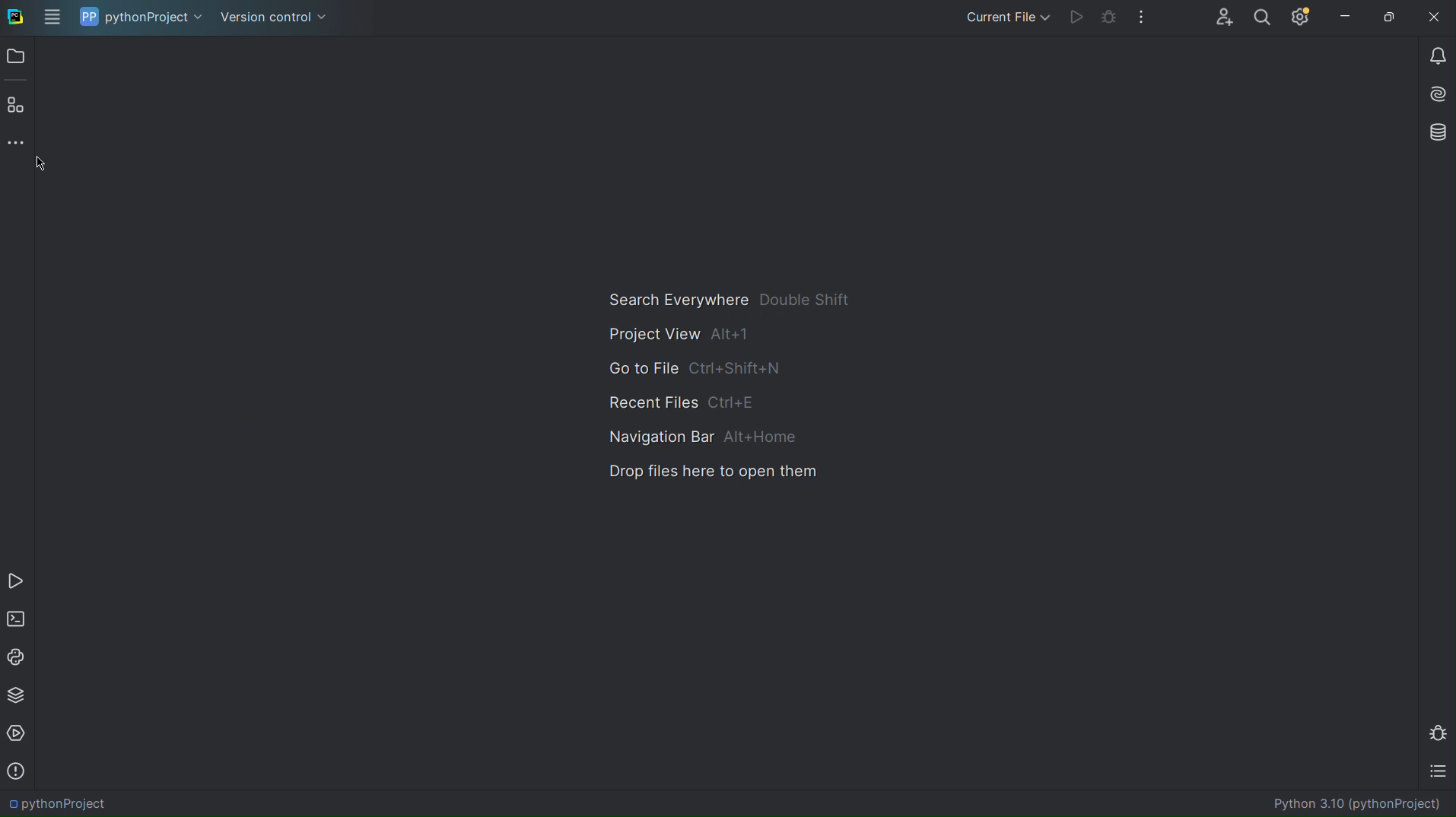  I want to click on Recent Files, so click(690, 399).